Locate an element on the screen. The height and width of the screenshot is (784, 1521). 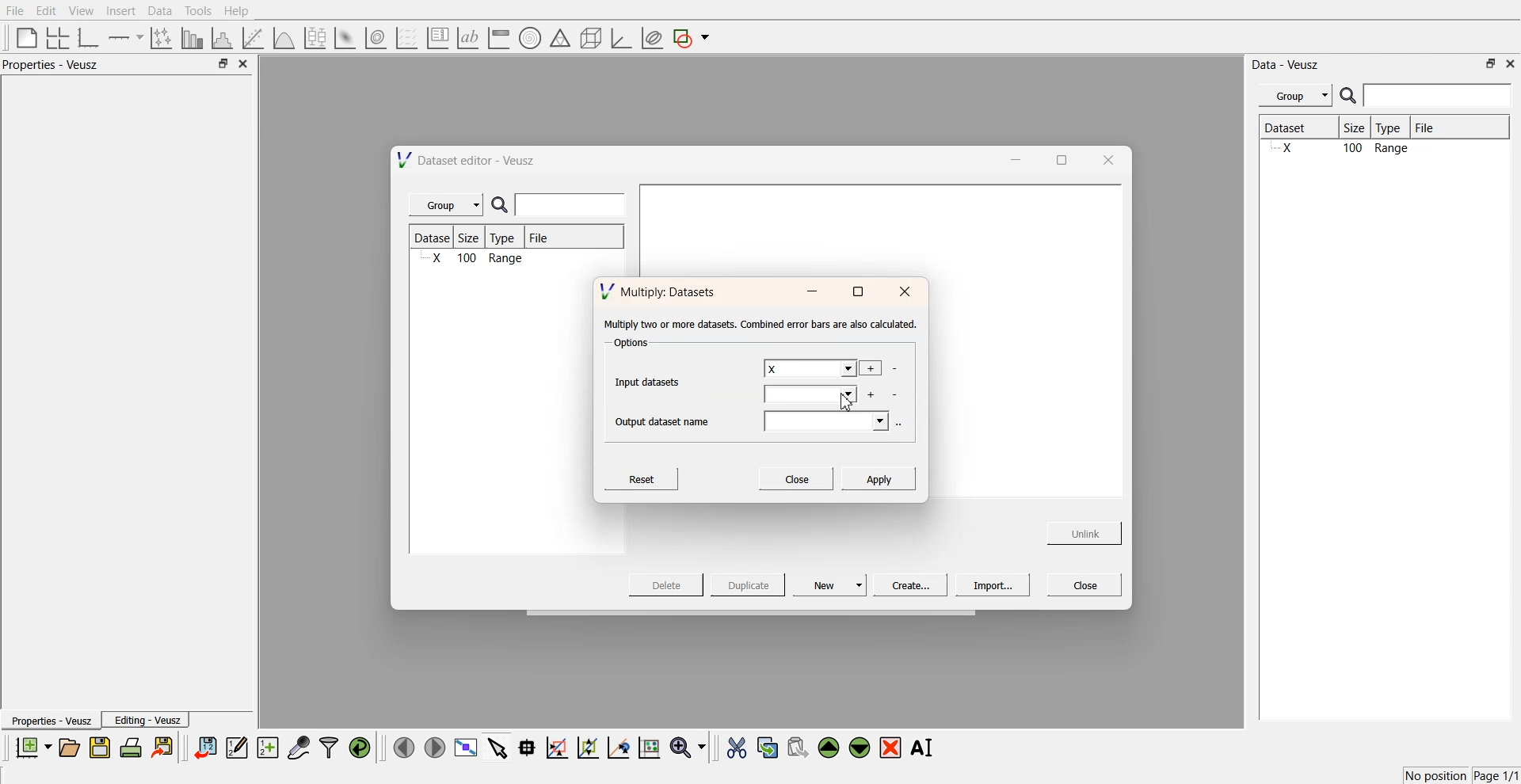
Group | is located at coordinates (448, 205).